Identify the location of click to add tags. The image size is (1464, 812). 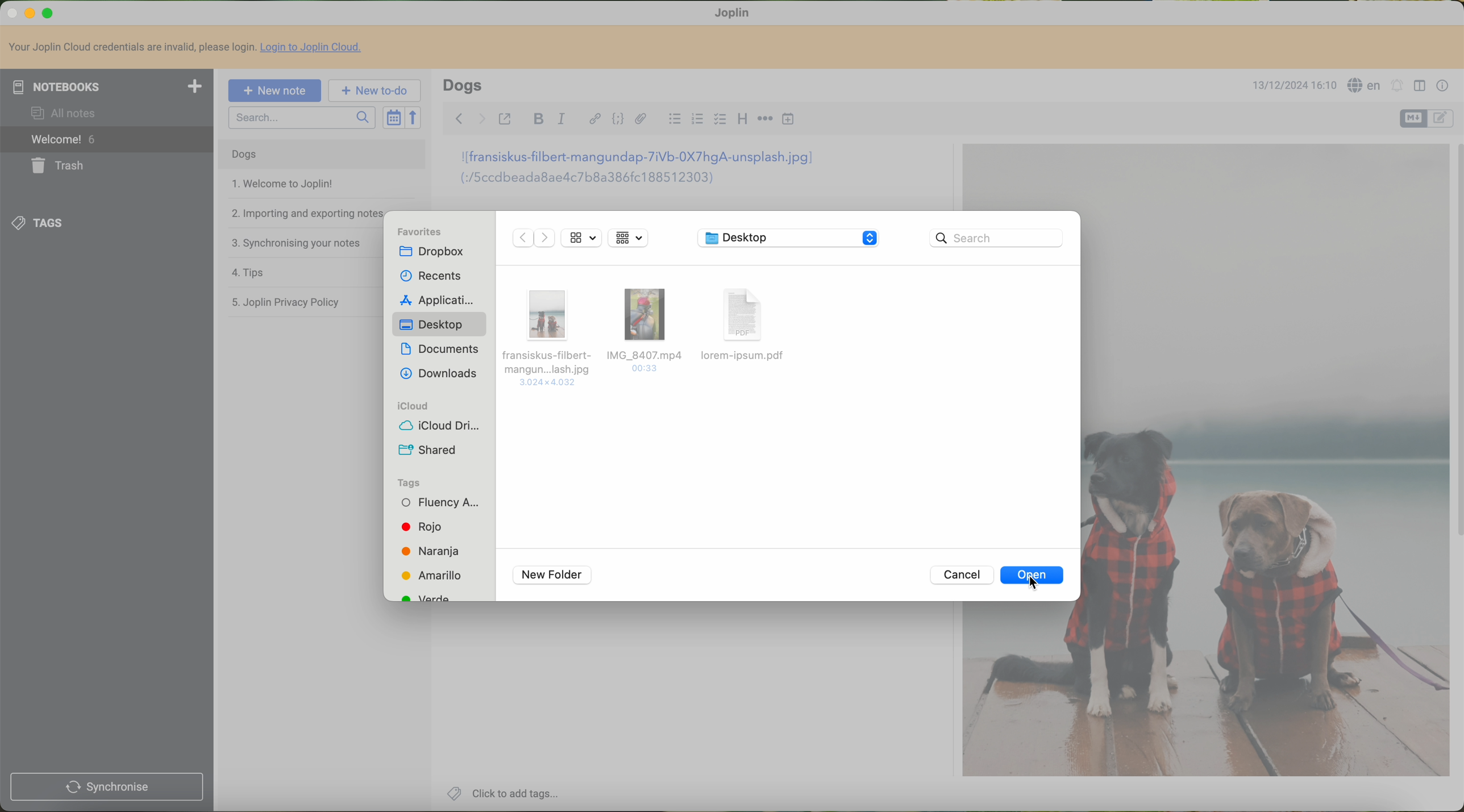
(501, 793).